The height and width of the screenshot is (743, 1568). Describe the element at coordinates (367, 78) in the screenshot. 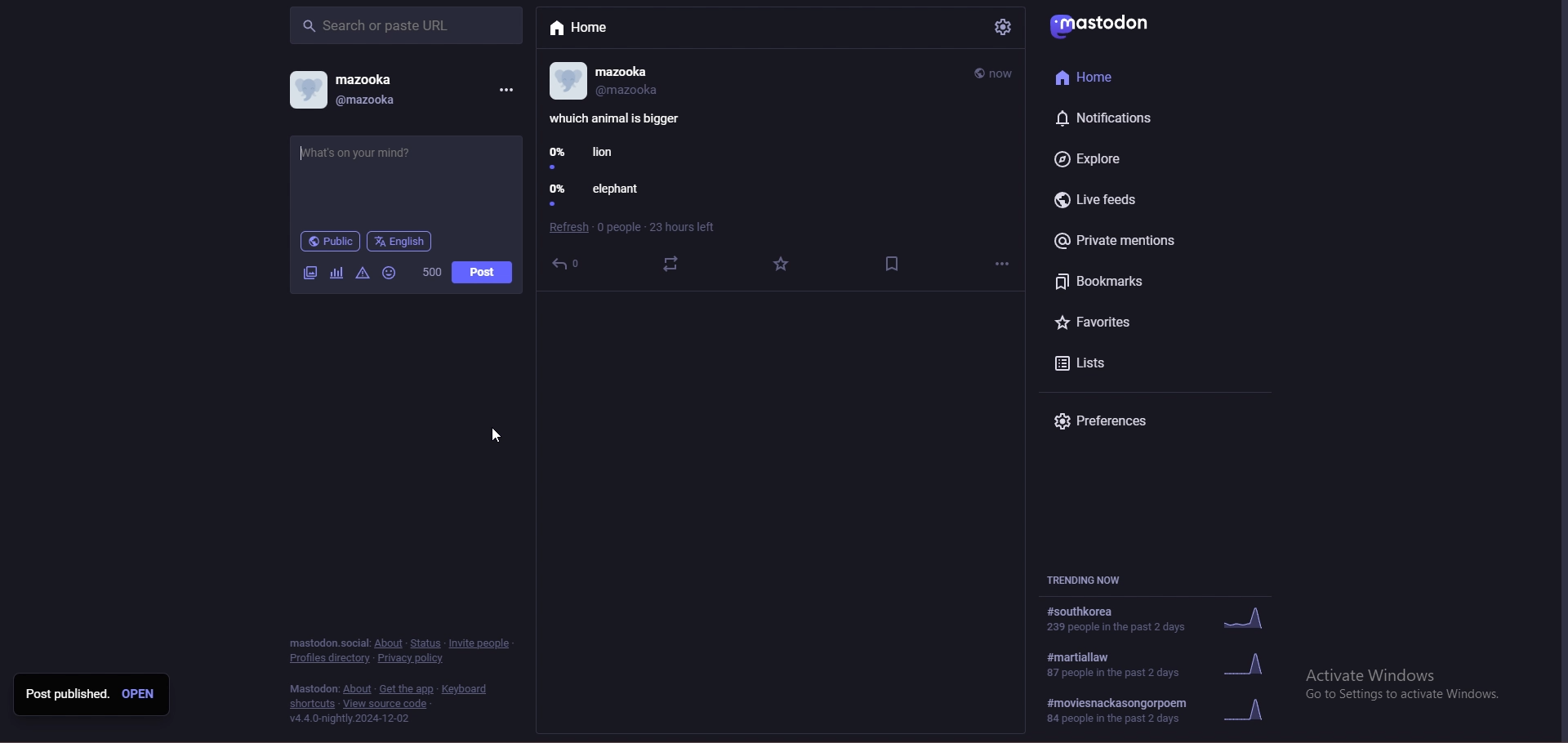

I see `mazooka` at that location.